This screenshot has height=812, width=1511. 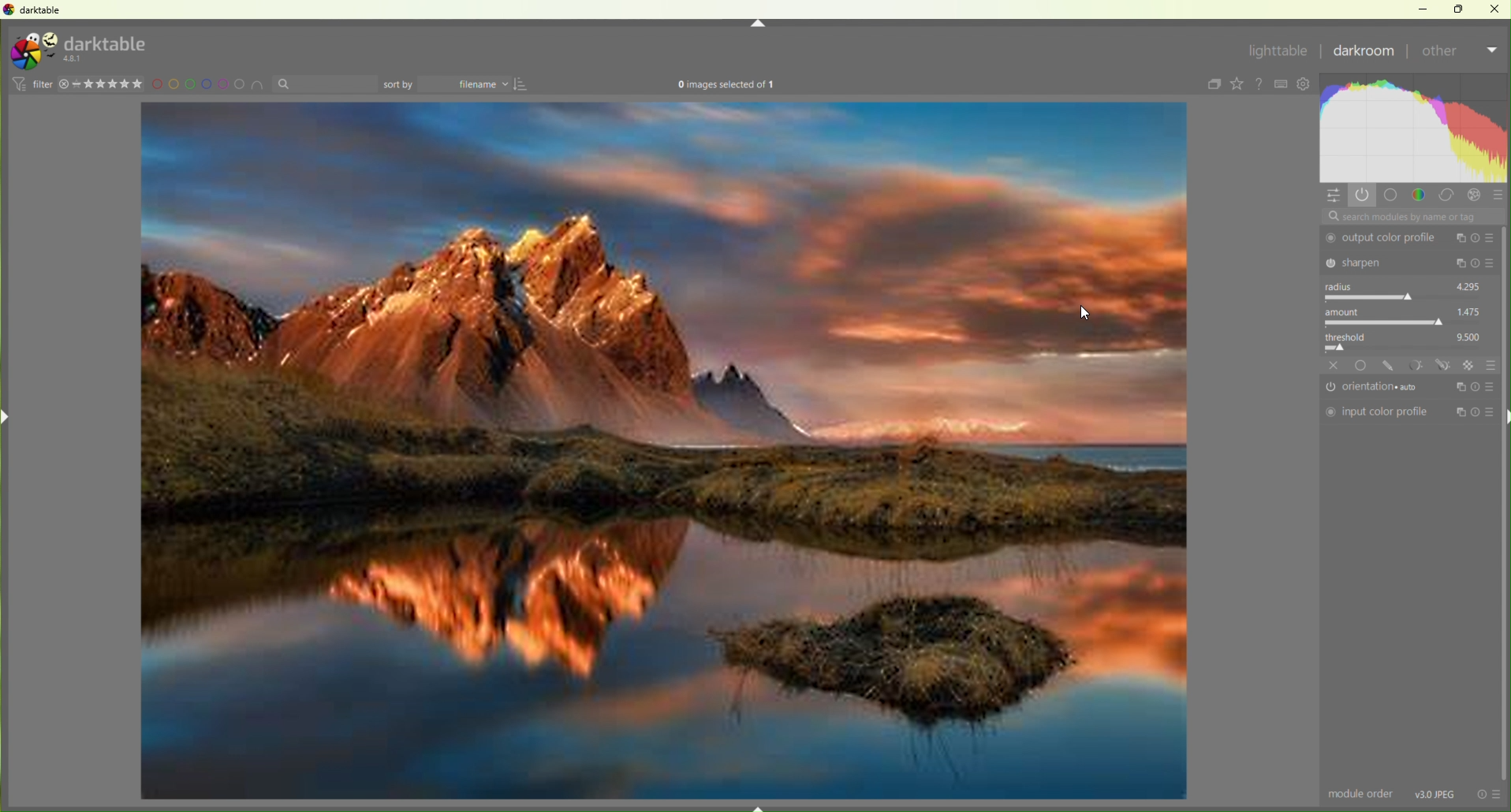 I want to click on Minimise, so click(x=1427, y=9).